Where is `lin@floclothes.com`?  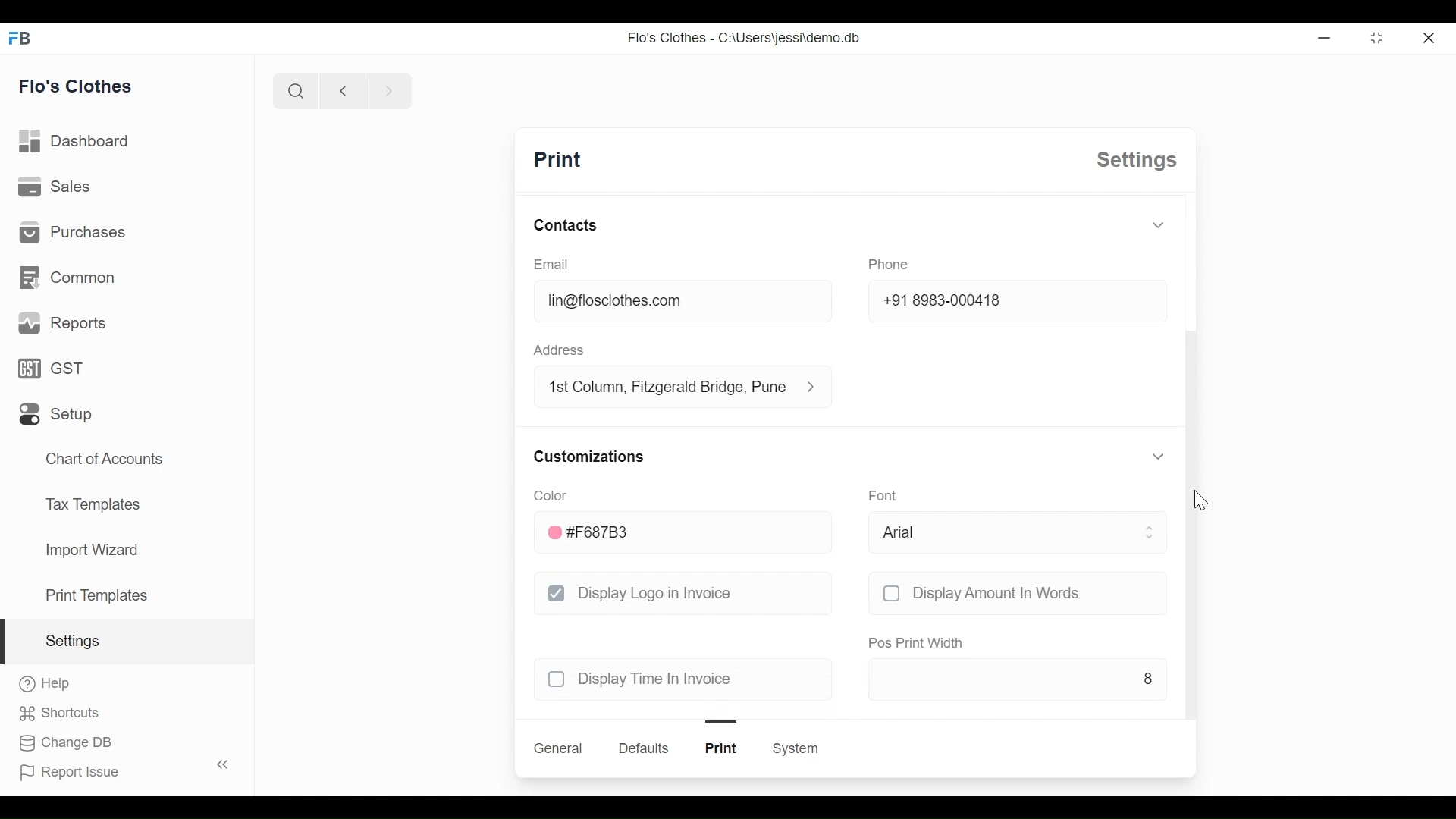 lin@floclothes.com is located at coordinates (684, 300).